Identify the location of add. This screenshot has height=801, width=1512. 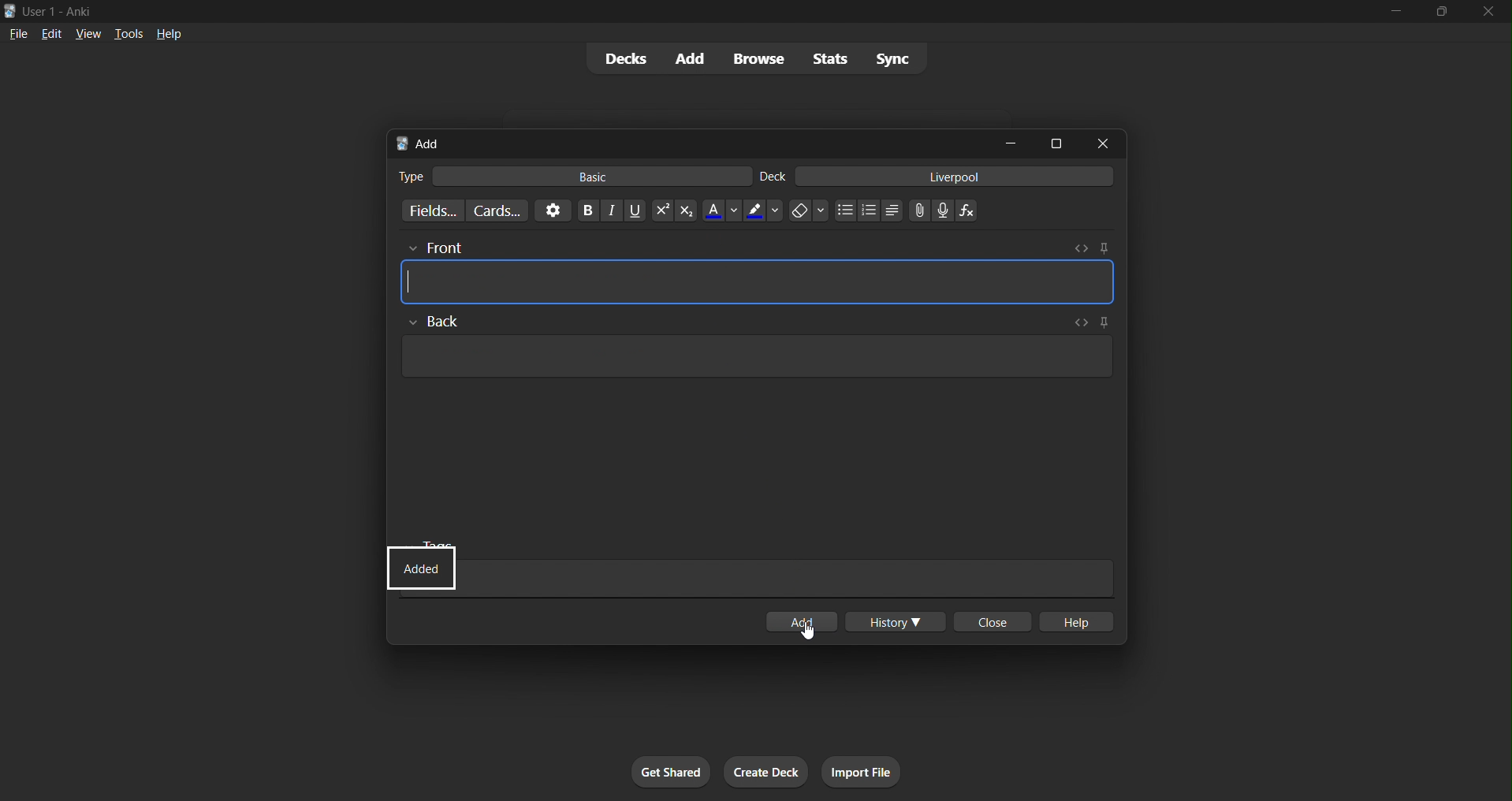
(685, 59).